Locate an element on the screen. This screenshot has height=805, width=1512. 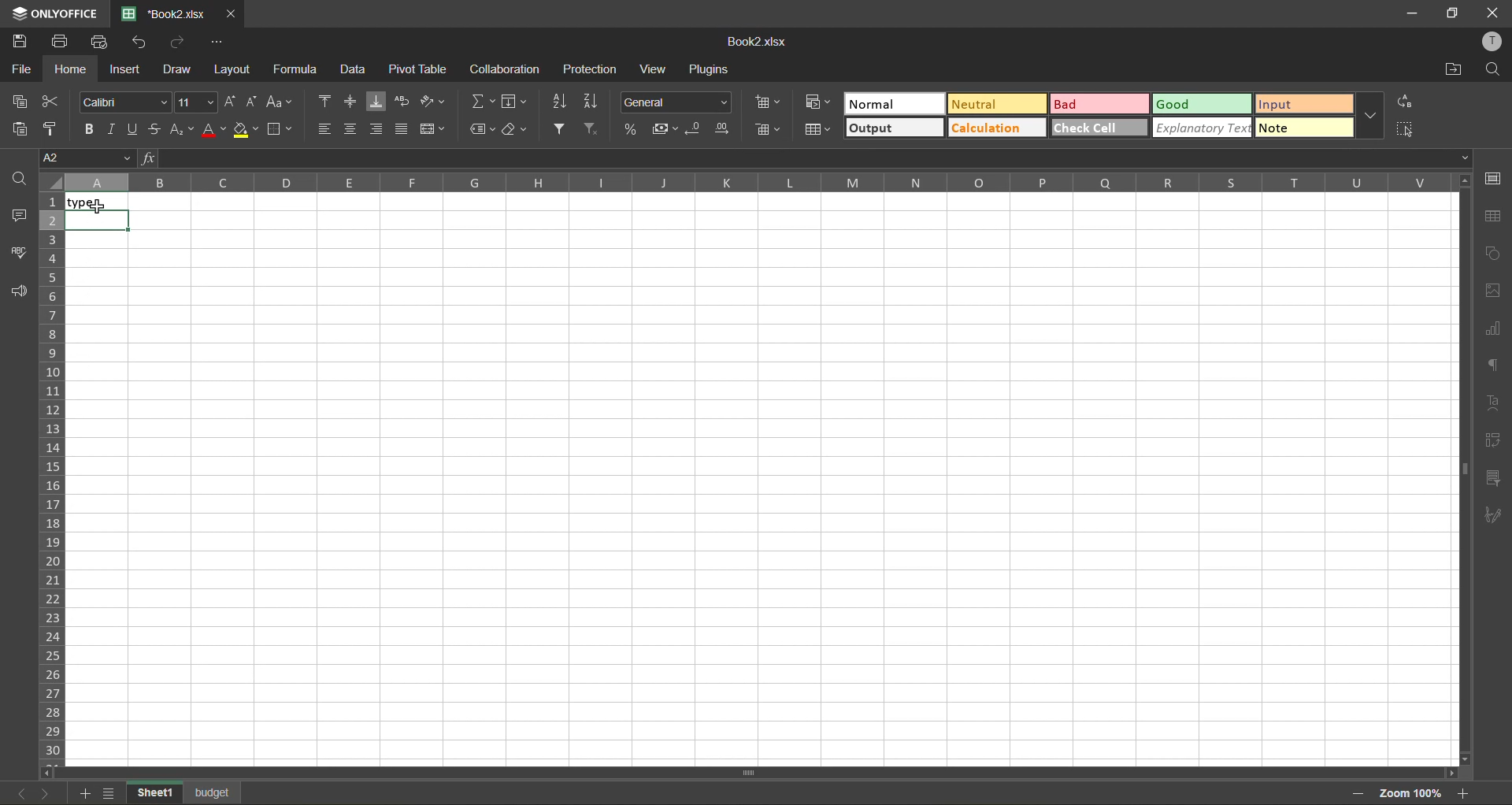
italic is located at coordinates (115, 128).